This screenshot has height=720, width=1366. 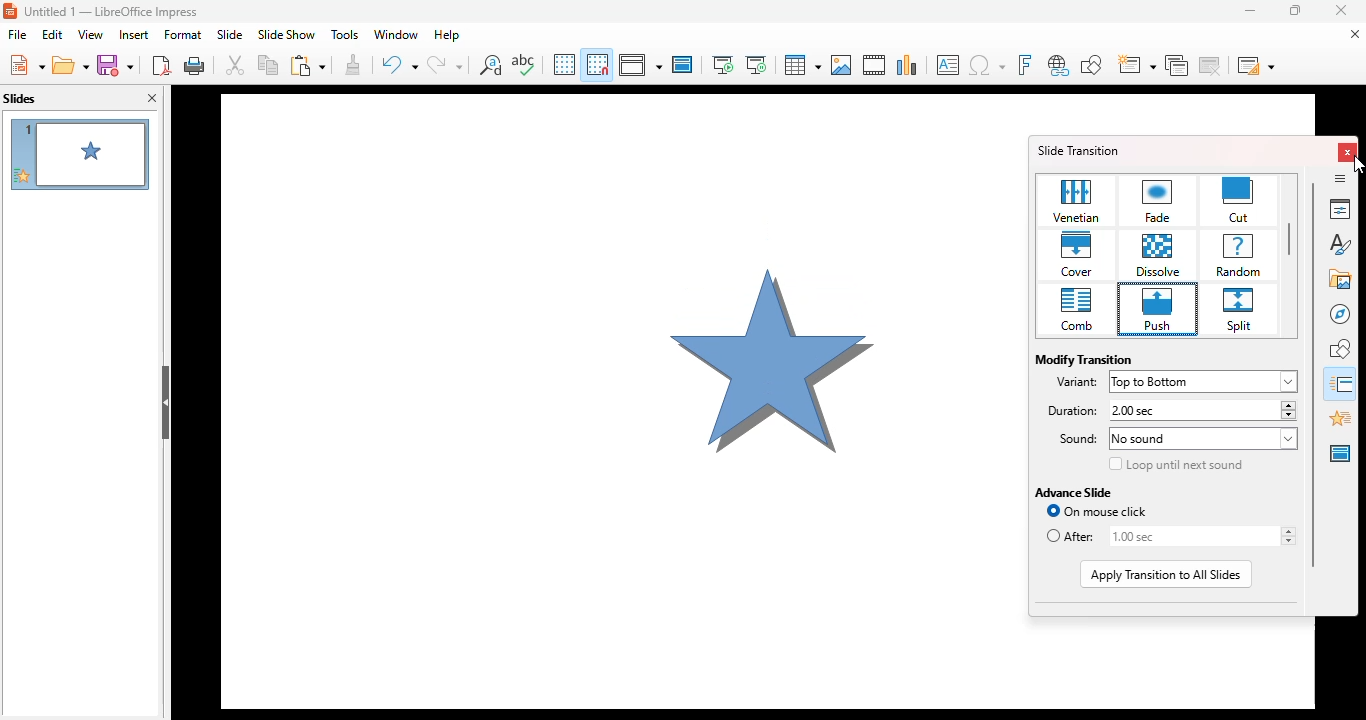 What do you see at coordinates (949, 65) in the screenshot?
I see `insert text box` at bounding box center [949, 65].